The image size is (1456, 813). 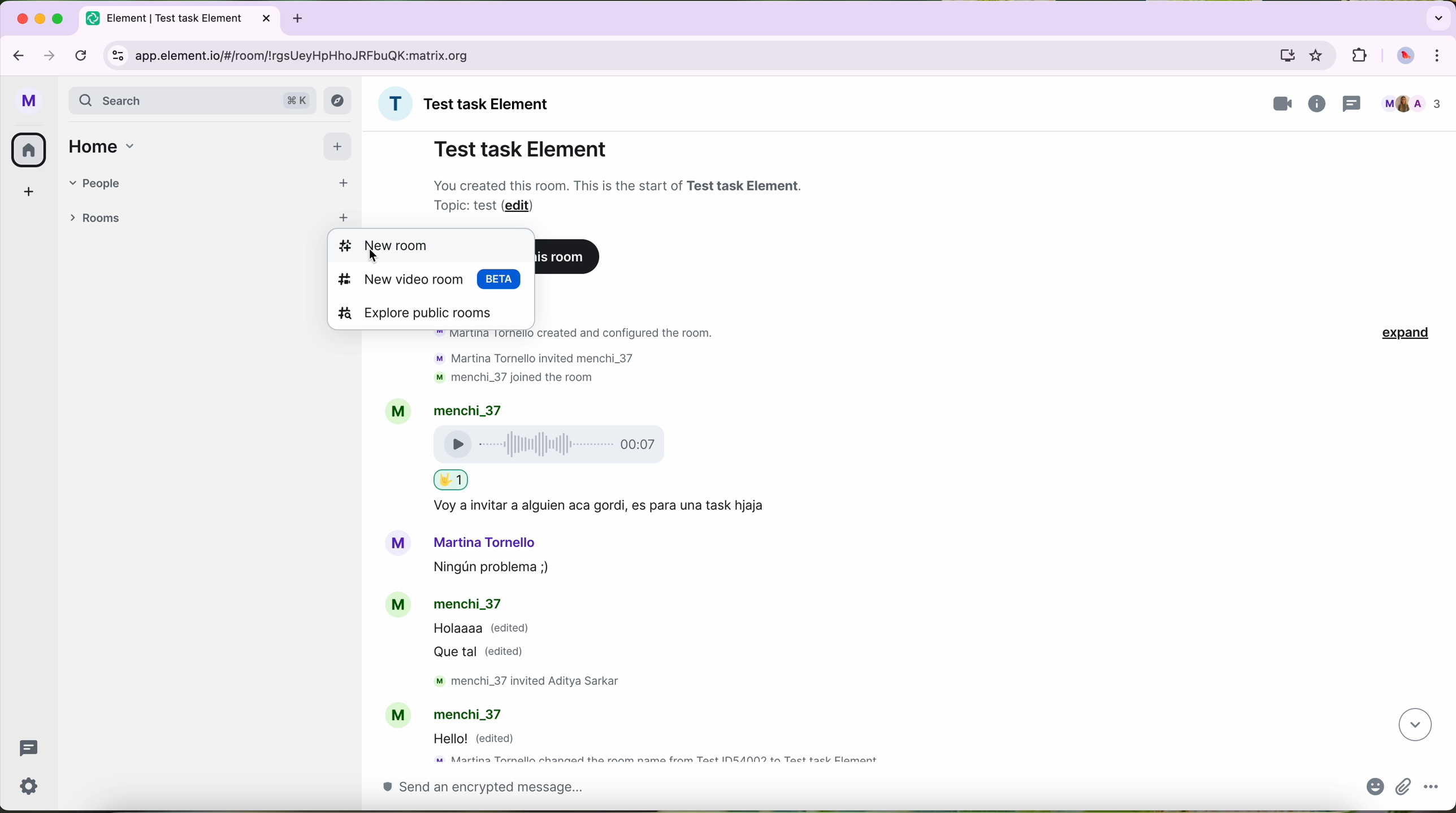 What do you see at coordinates (29, 150) in the screenshot?
I see `home button` at bounding box center [29, 150].